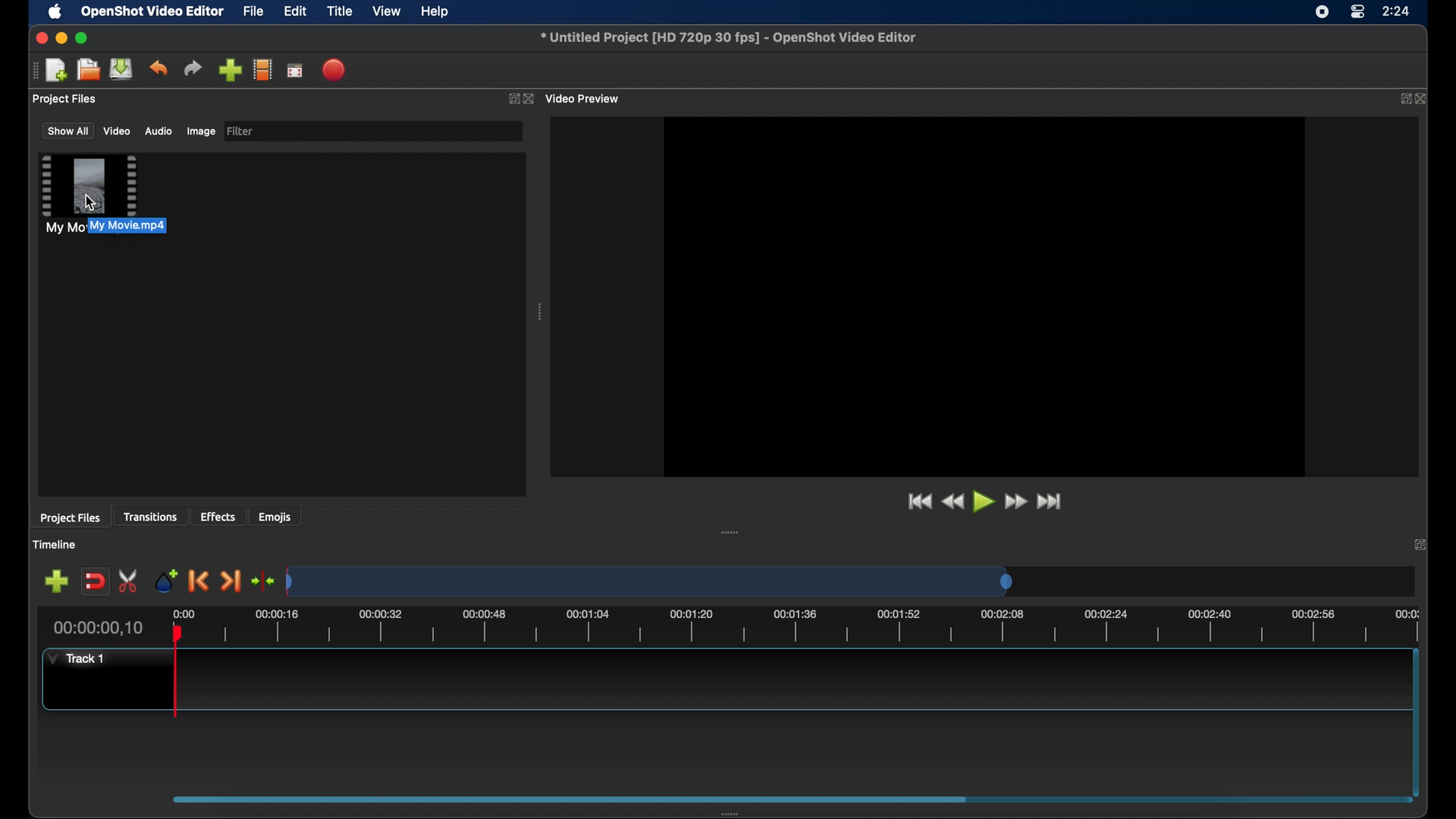 The height and width of the screenshot is (819, 1456). Describe the element at coordinates (731, 811) in the screenshot. I see `drag handle` at that location.